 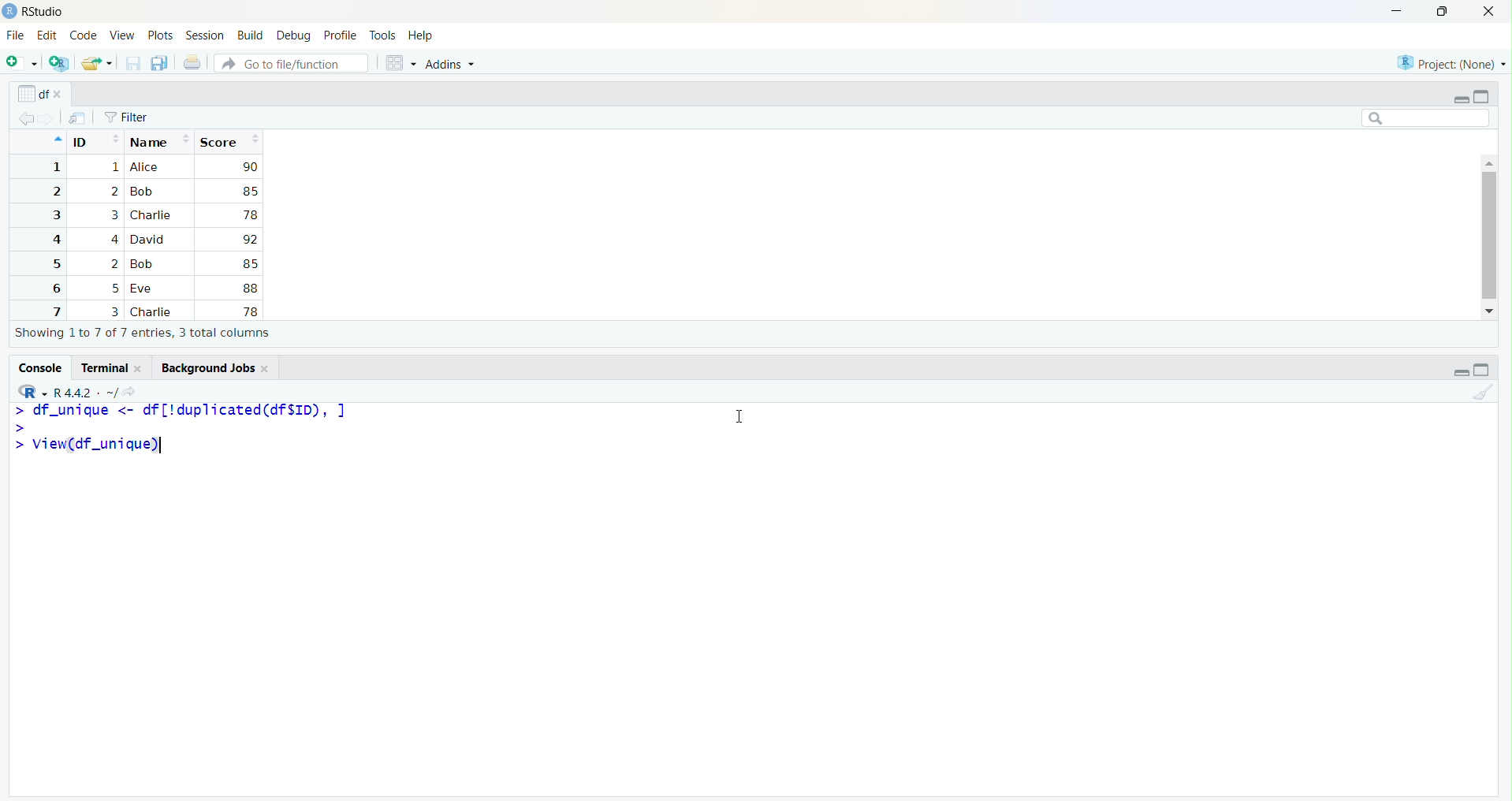 I want to click on up, so click(x=56, y=140).